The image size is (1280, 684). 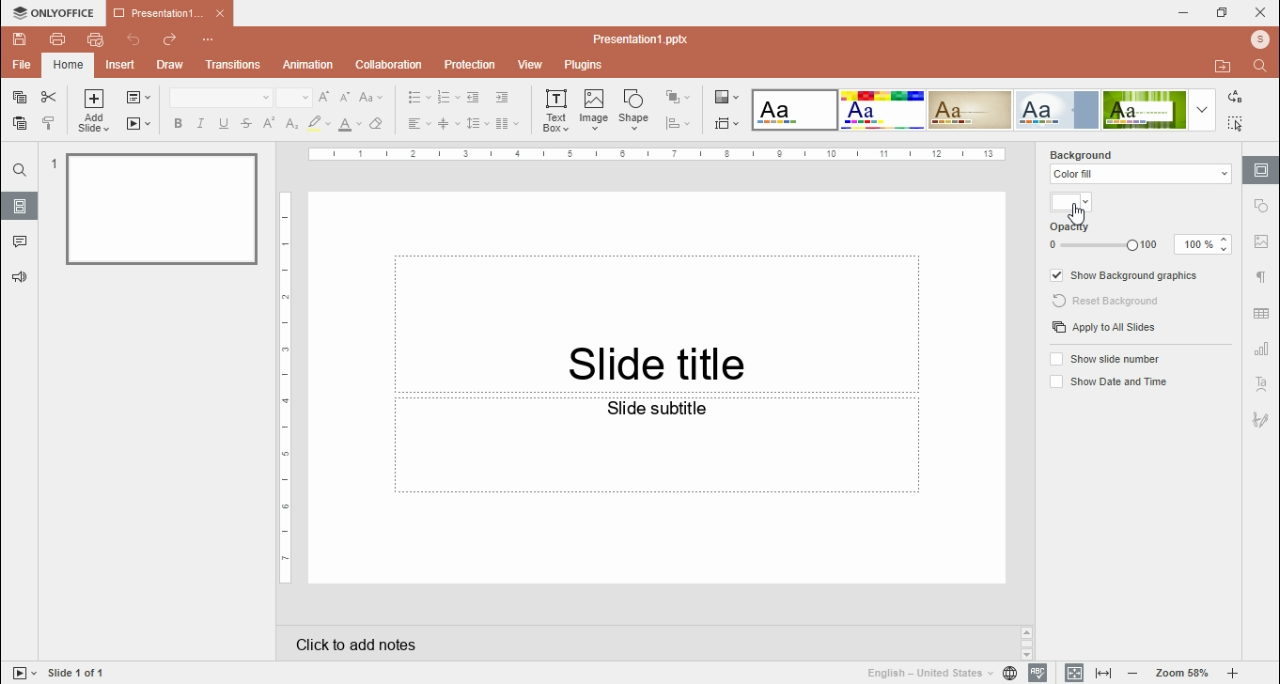 I want to click on strikethrough, so click(x=246, y=123).